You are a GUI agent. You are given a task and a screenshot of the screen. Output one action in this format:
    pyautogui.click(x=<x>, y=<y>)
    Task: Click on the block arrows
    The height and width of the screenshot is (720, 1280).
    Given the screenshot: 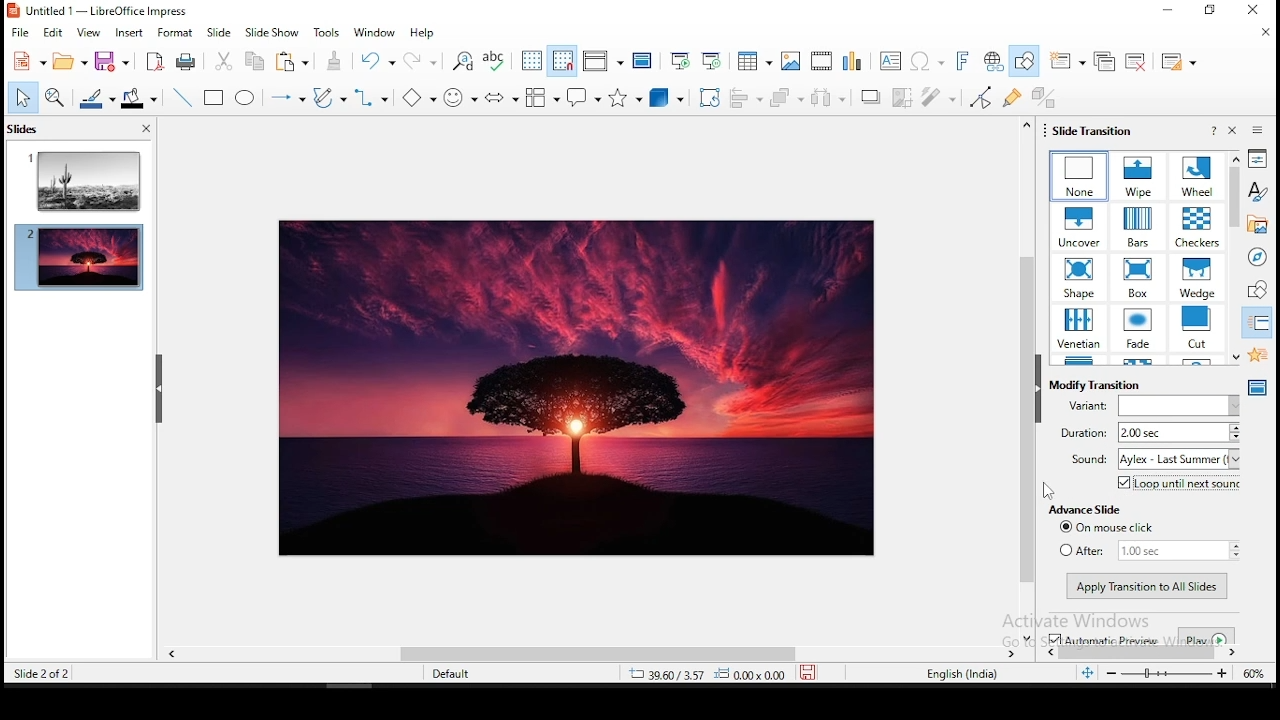 What is the action you would take?
    pyautogui.click(x=503, y=100)
    